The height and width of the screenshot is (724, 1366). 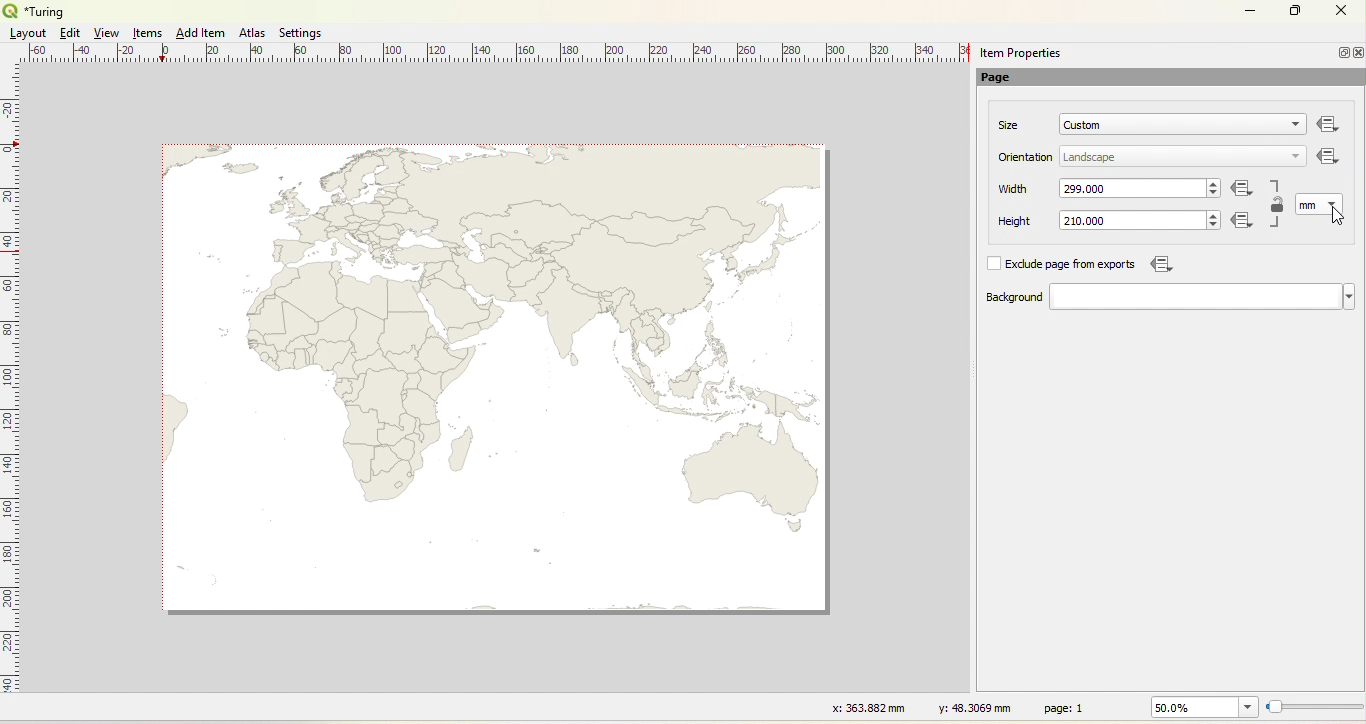 What do you see at coordinates (1159, 264) in the screenshot?
I see `Icon` at bounding box center [1159, 264].